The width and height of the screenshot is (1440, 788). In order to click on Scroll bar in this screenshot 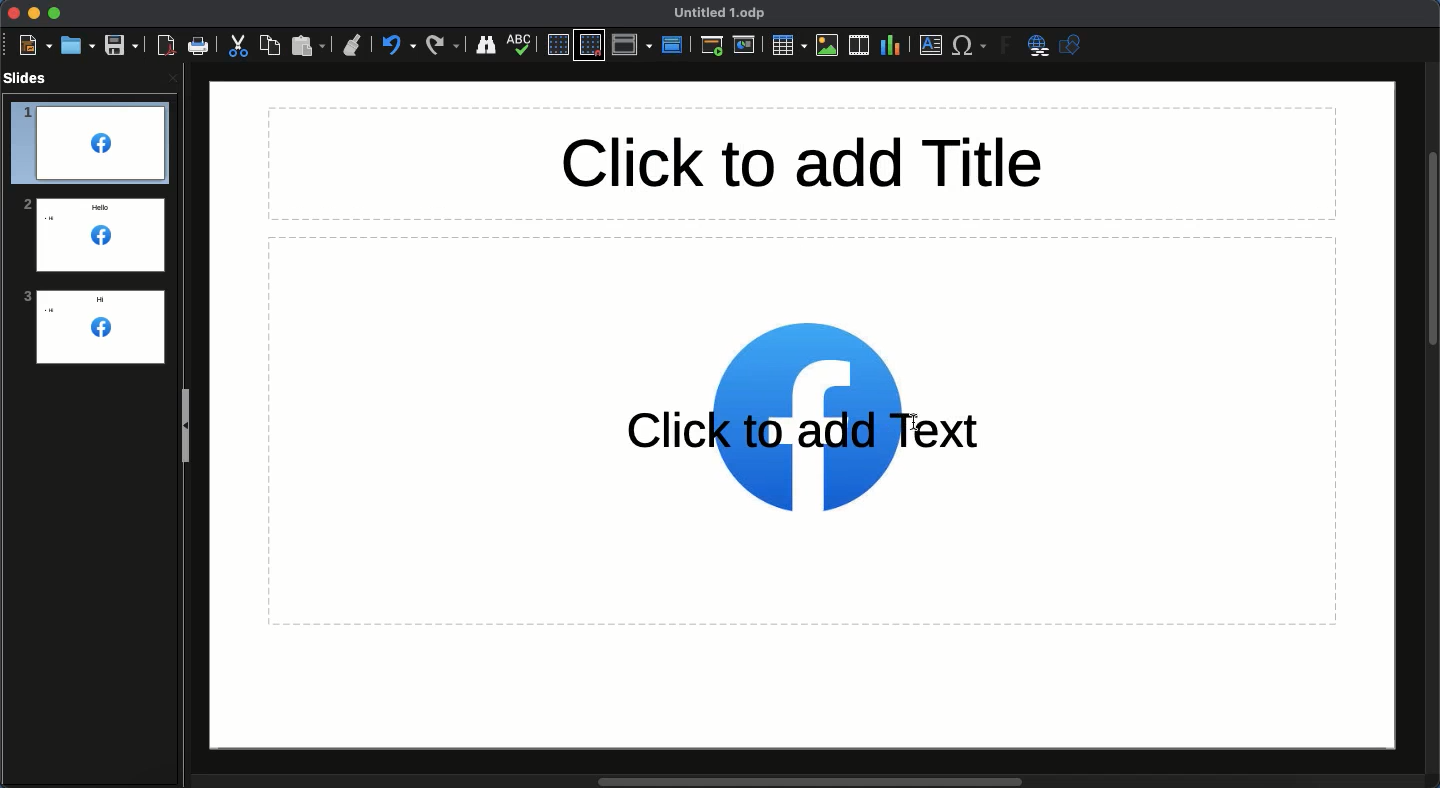, I will do `click(811, 782)`.